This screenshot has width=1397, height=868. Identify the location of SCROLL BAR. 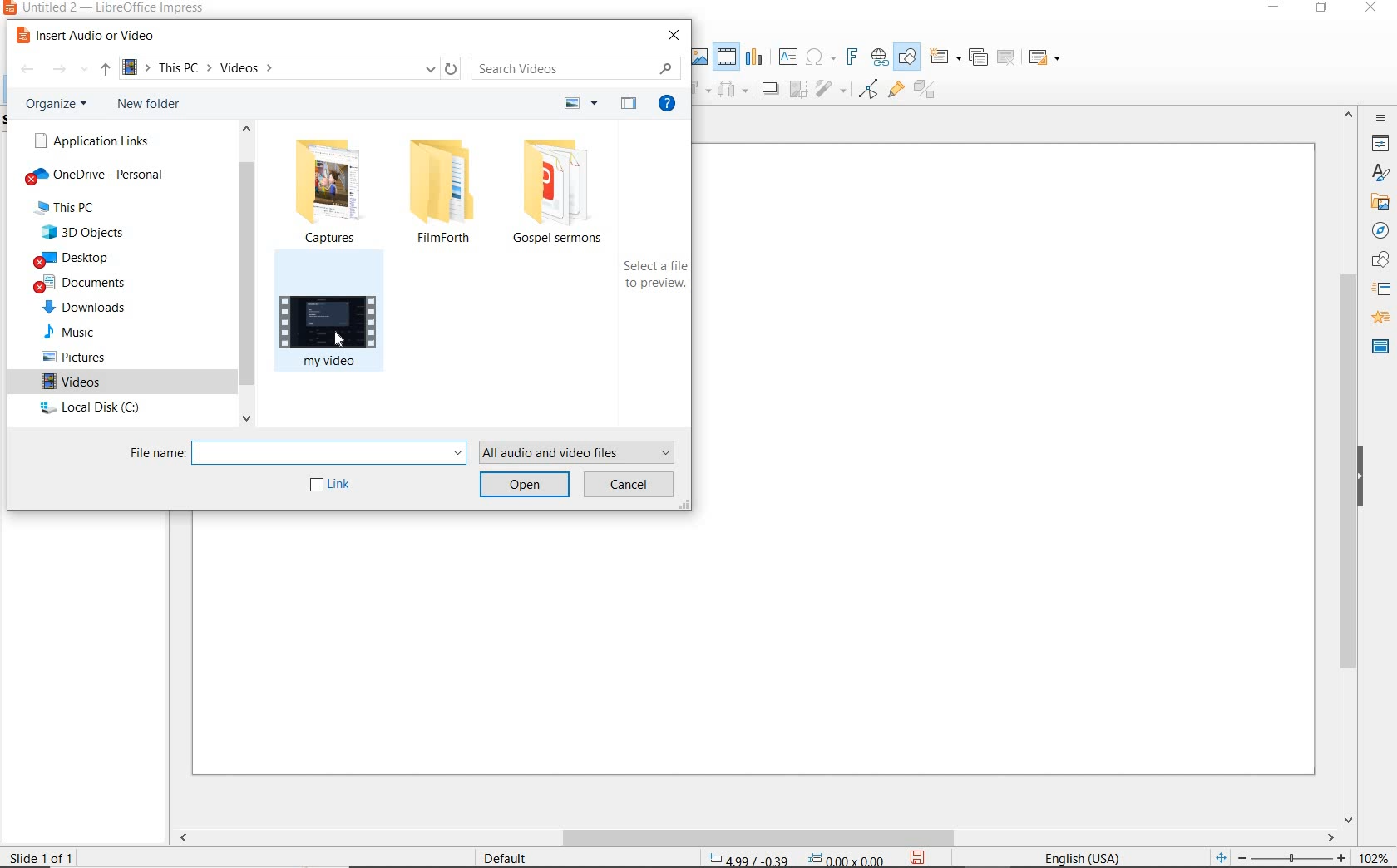
(757, 837).